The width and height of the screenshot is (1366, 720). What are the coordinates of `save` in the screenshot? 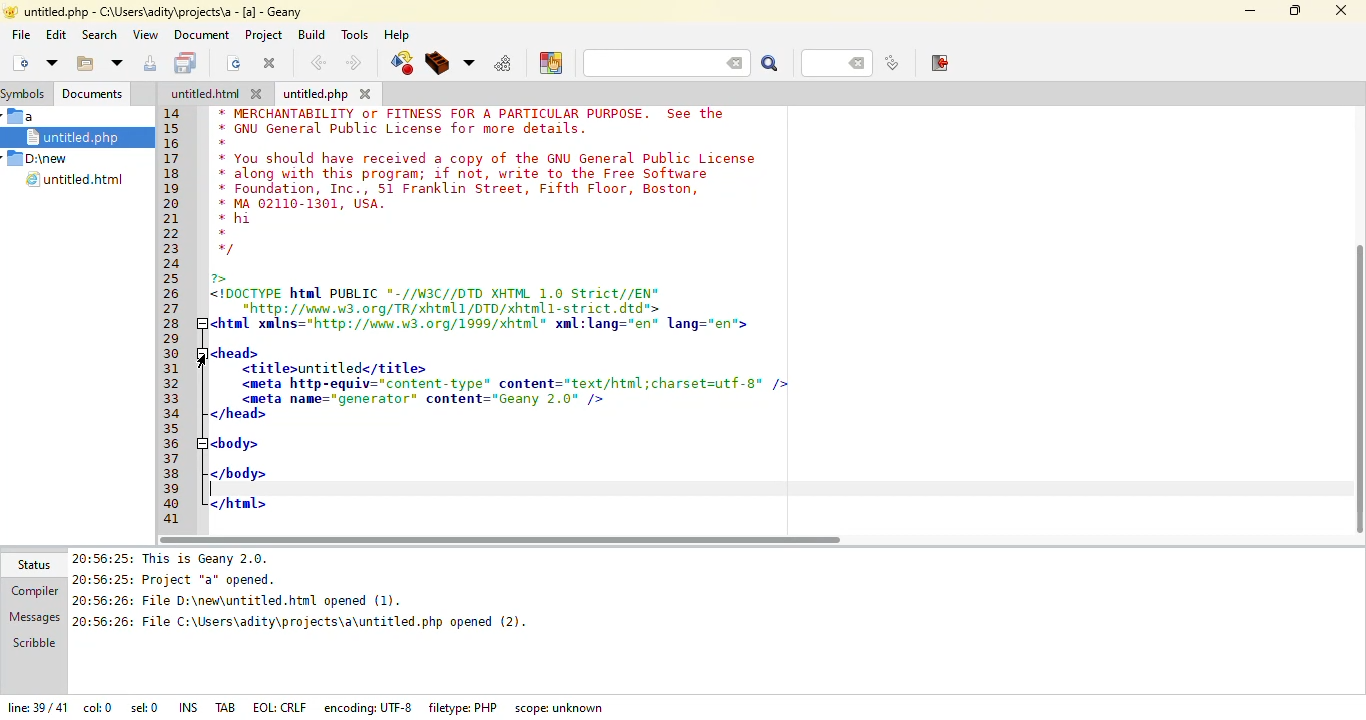 It's located at (150, 63).